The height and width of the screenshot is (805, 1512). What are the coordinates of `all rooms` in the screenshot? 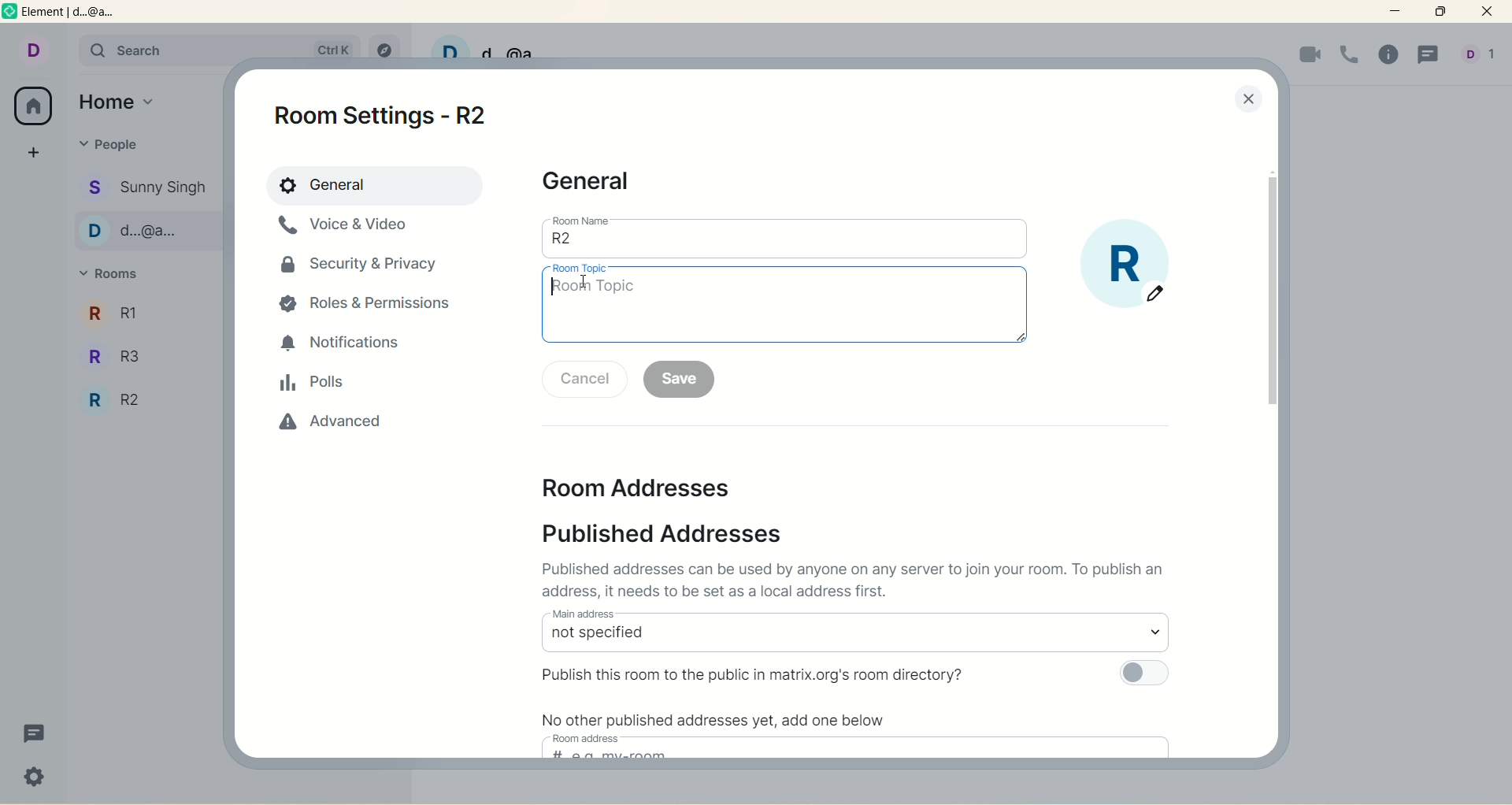 It's located at (35, 106).